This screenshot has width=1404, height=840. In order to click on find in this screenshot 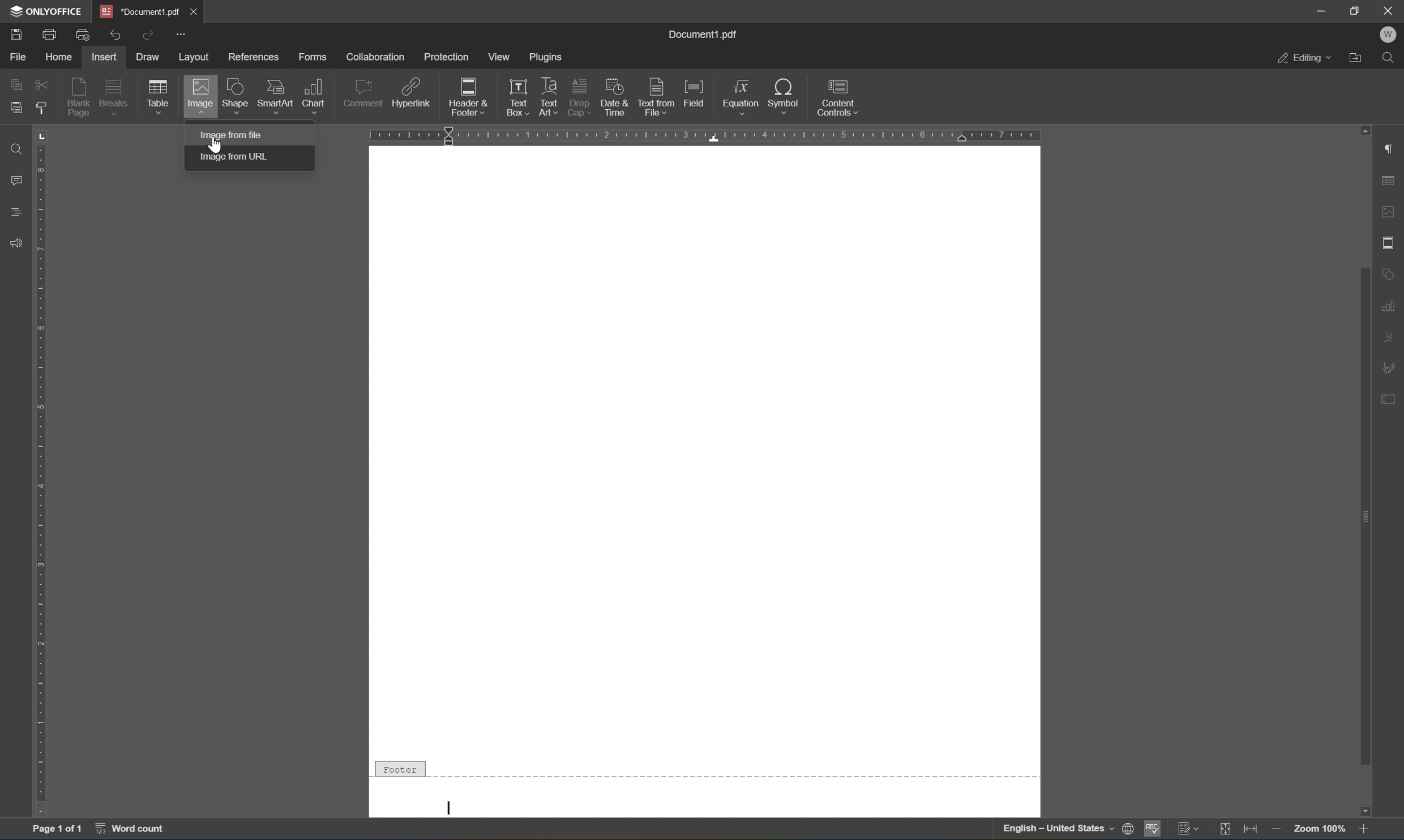, I will do `click(17, 148)`.